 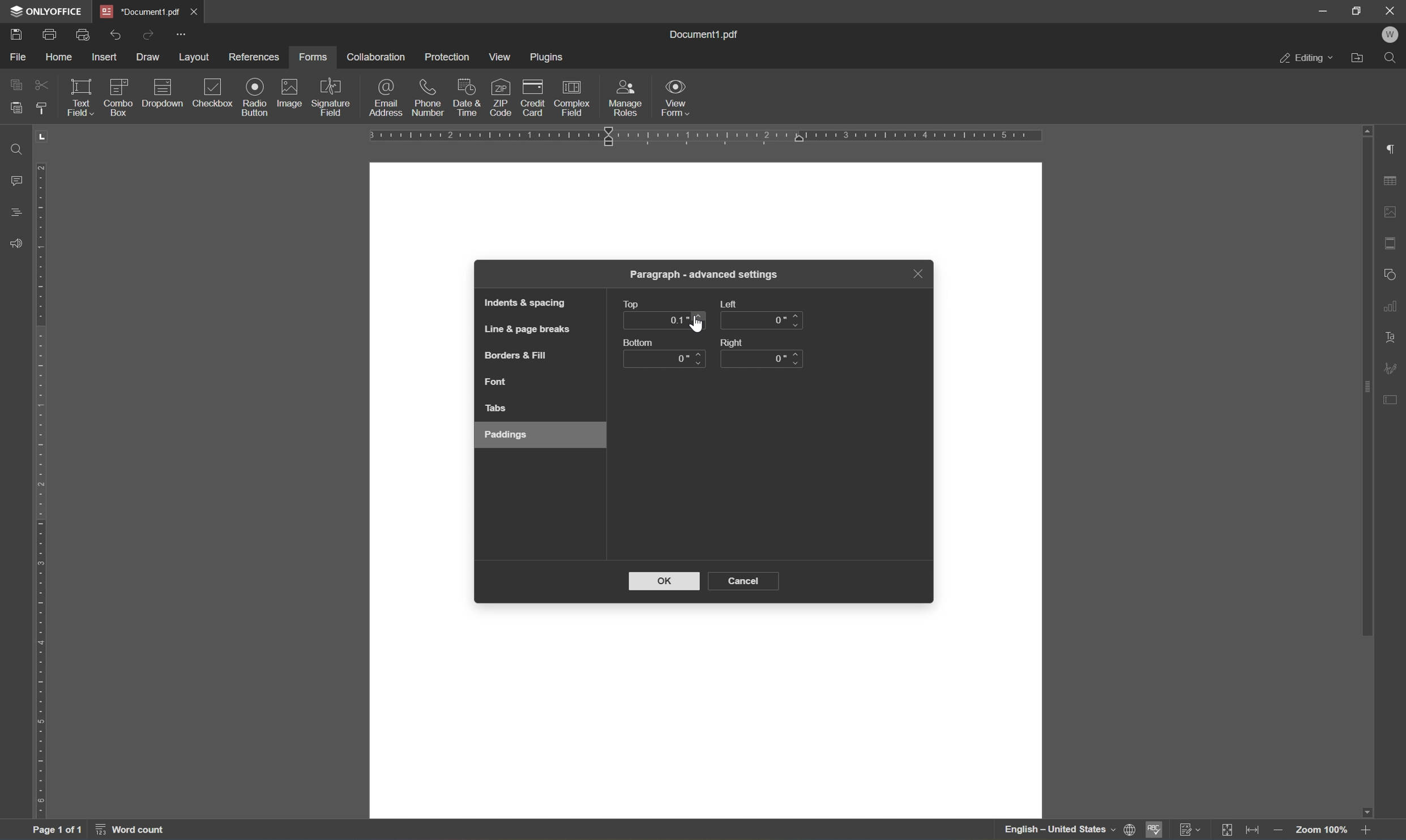 What do you see at coordinates (253, 100) in the screenshot?
I see `radio button` at bounding box center [253, 100].